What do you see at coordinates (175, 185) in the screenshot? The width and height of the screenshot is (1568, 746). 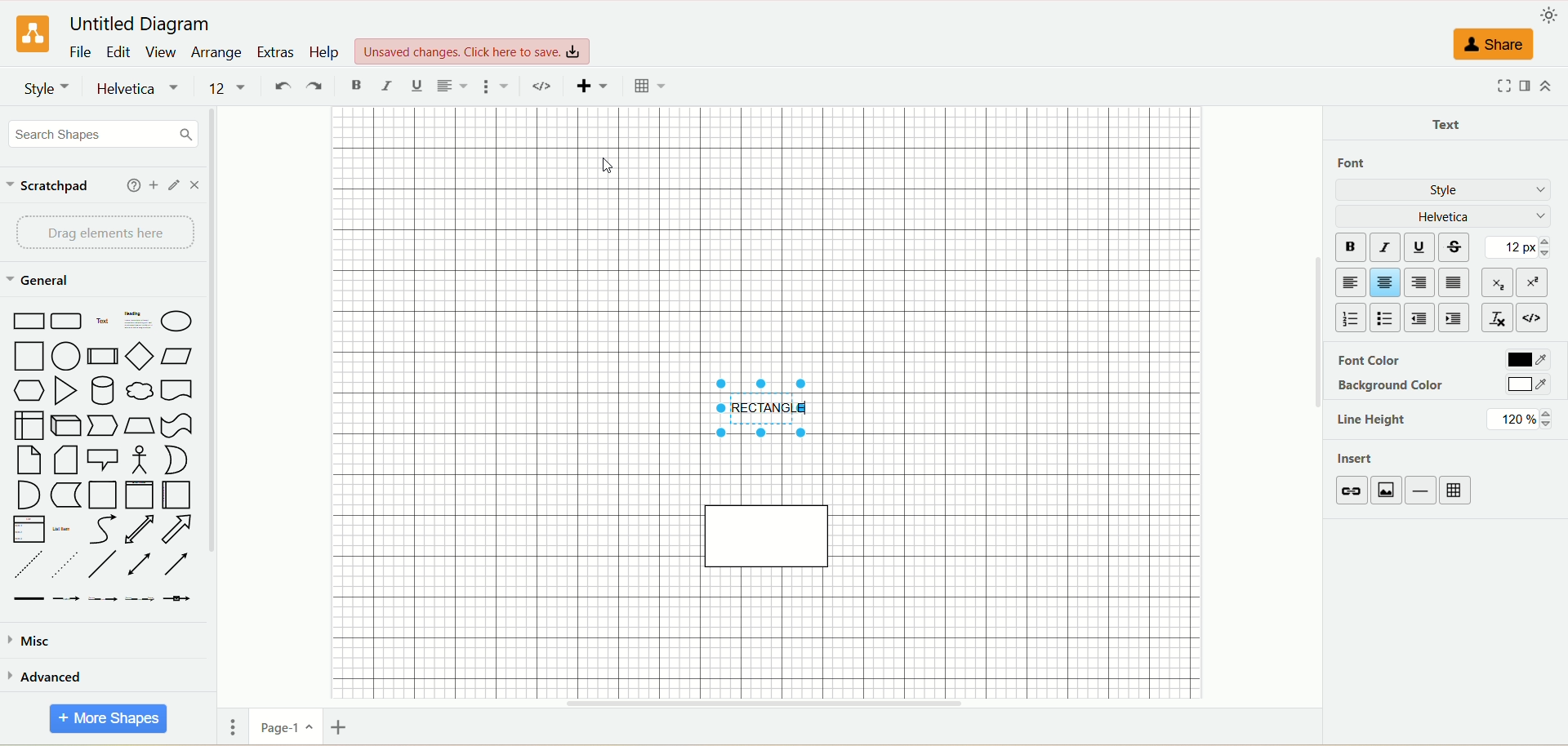 I see `edit` at bounding box center [175, 185].